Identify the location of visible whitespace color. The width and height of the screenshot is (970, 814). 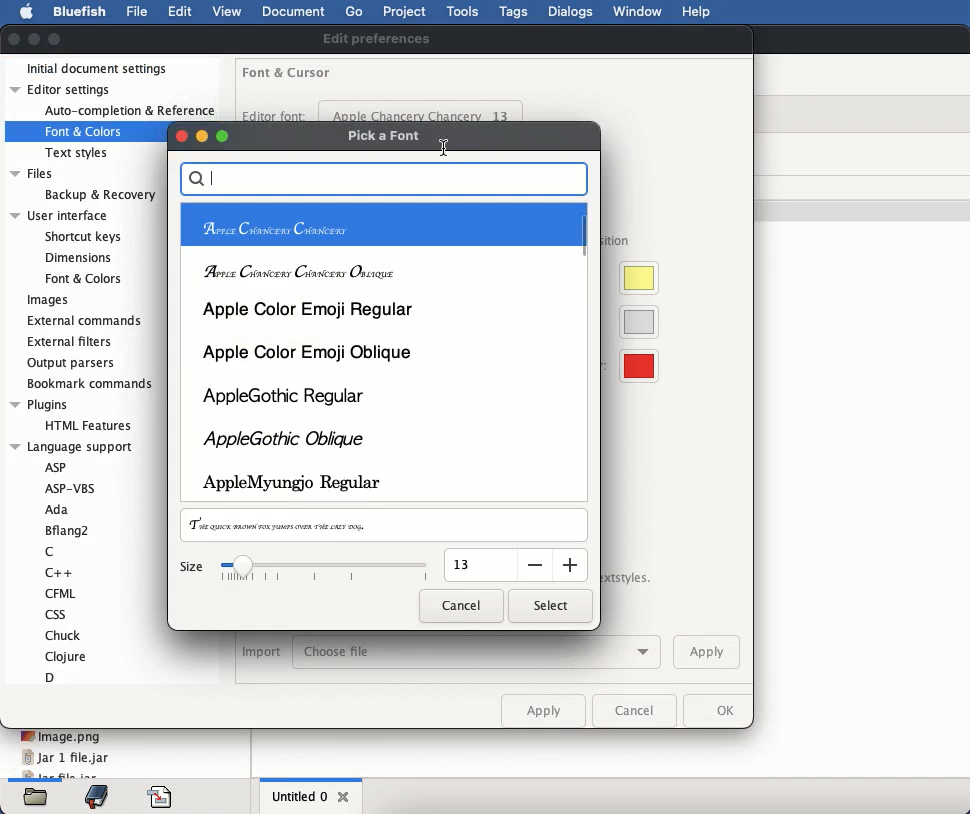
(641, 365).